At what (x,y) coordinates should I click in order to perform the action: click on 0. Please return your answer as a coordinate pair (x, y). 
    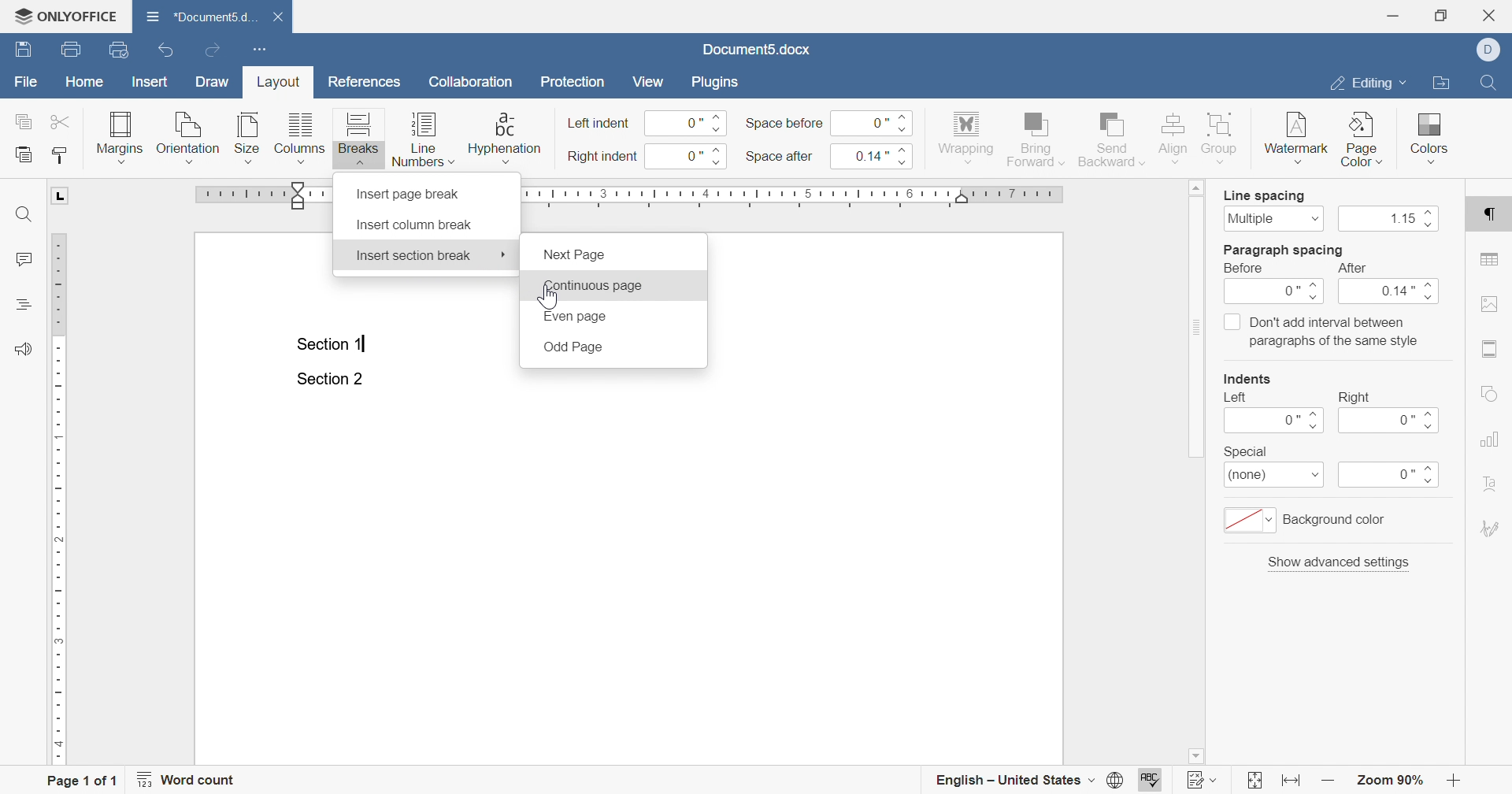
    Looking at the image, I should click on (1392, 421).